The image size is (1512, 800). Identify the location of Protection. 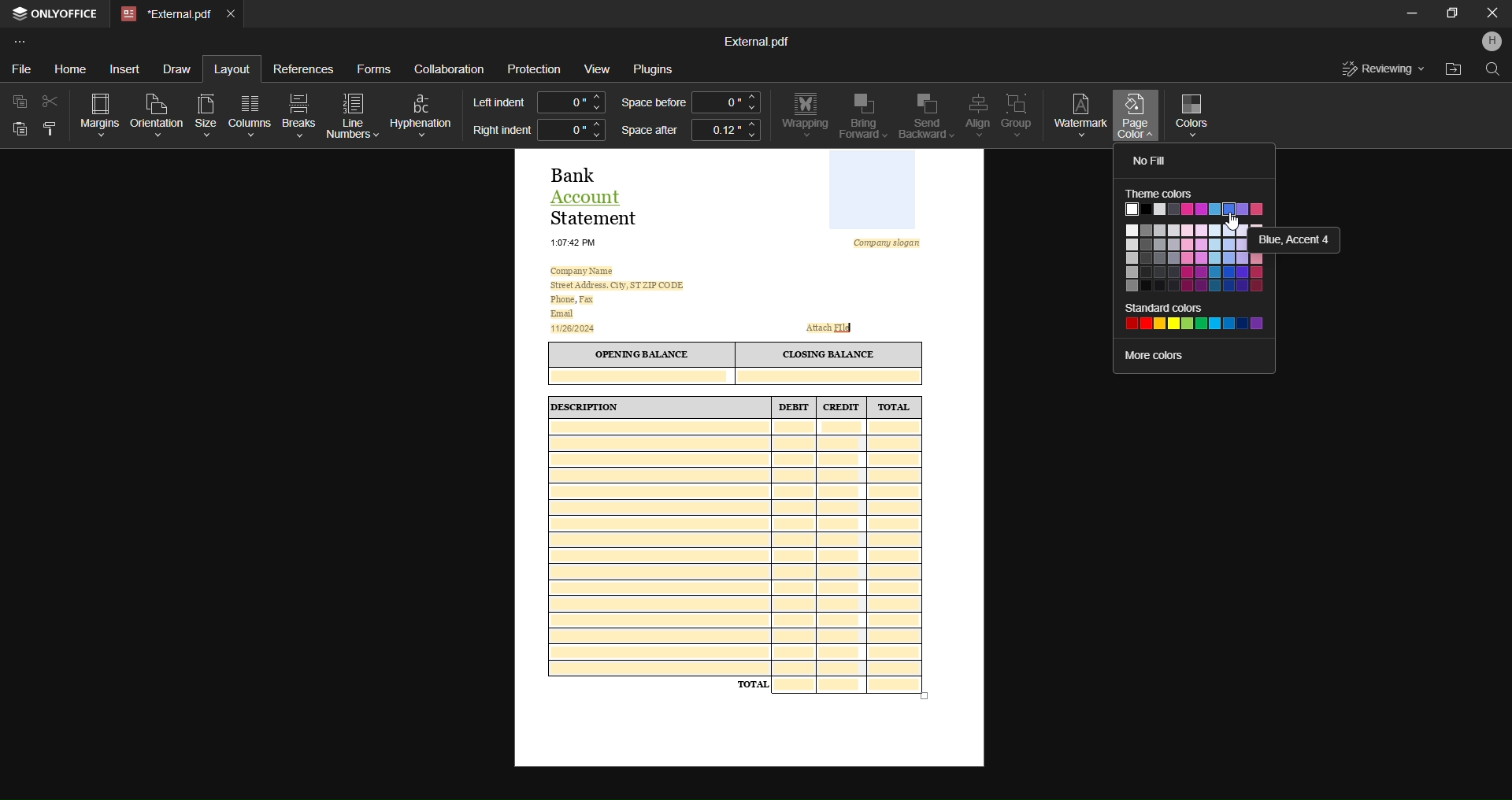
(535, 69).